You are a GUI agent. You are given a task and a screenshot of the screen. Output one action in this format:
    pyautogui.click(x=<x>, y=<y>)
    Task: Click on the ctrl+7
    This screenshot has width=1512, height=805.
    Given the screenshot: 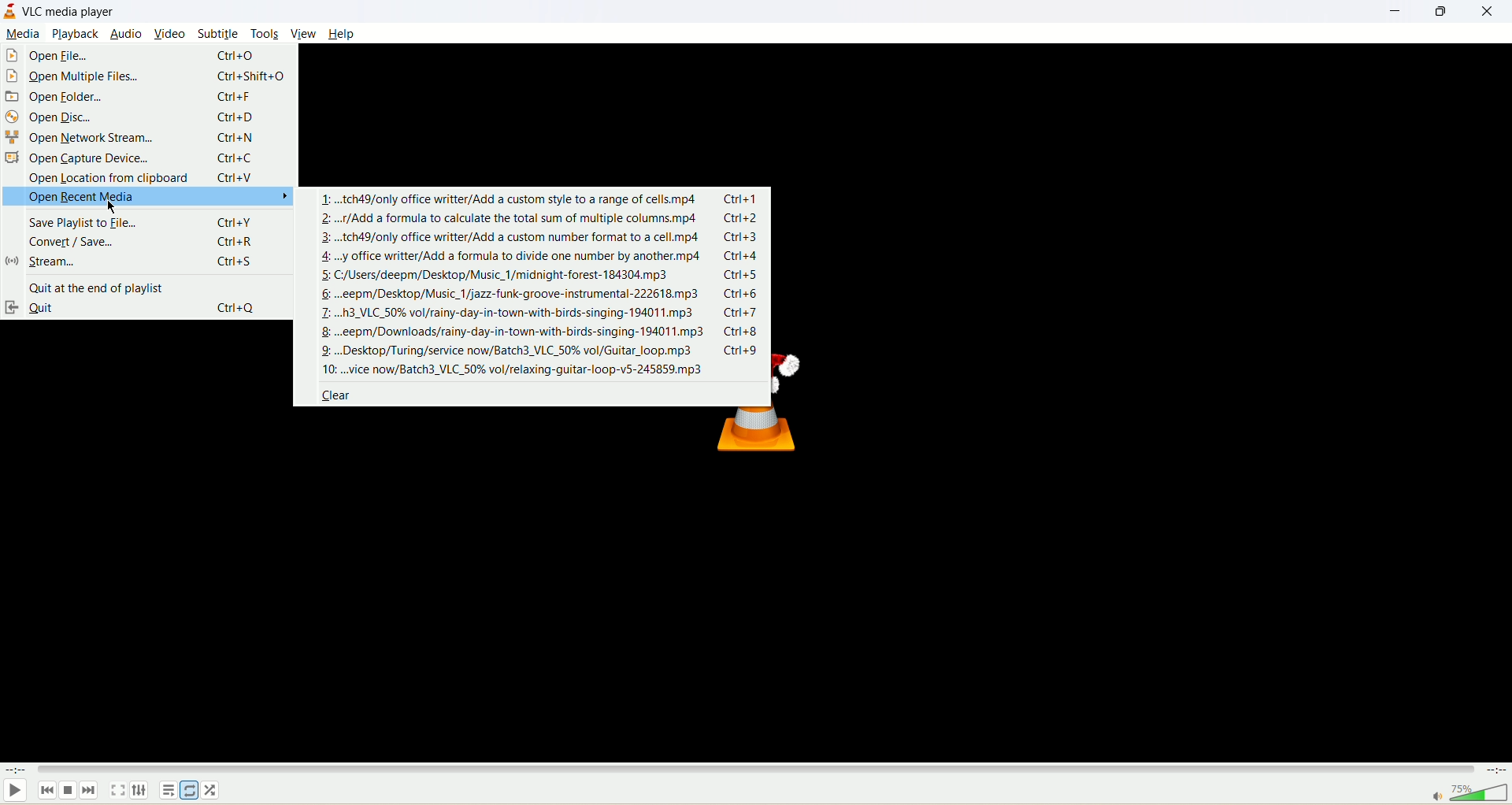 What is the action you would take?
    pyautogui.click(x=745, y=312)
    